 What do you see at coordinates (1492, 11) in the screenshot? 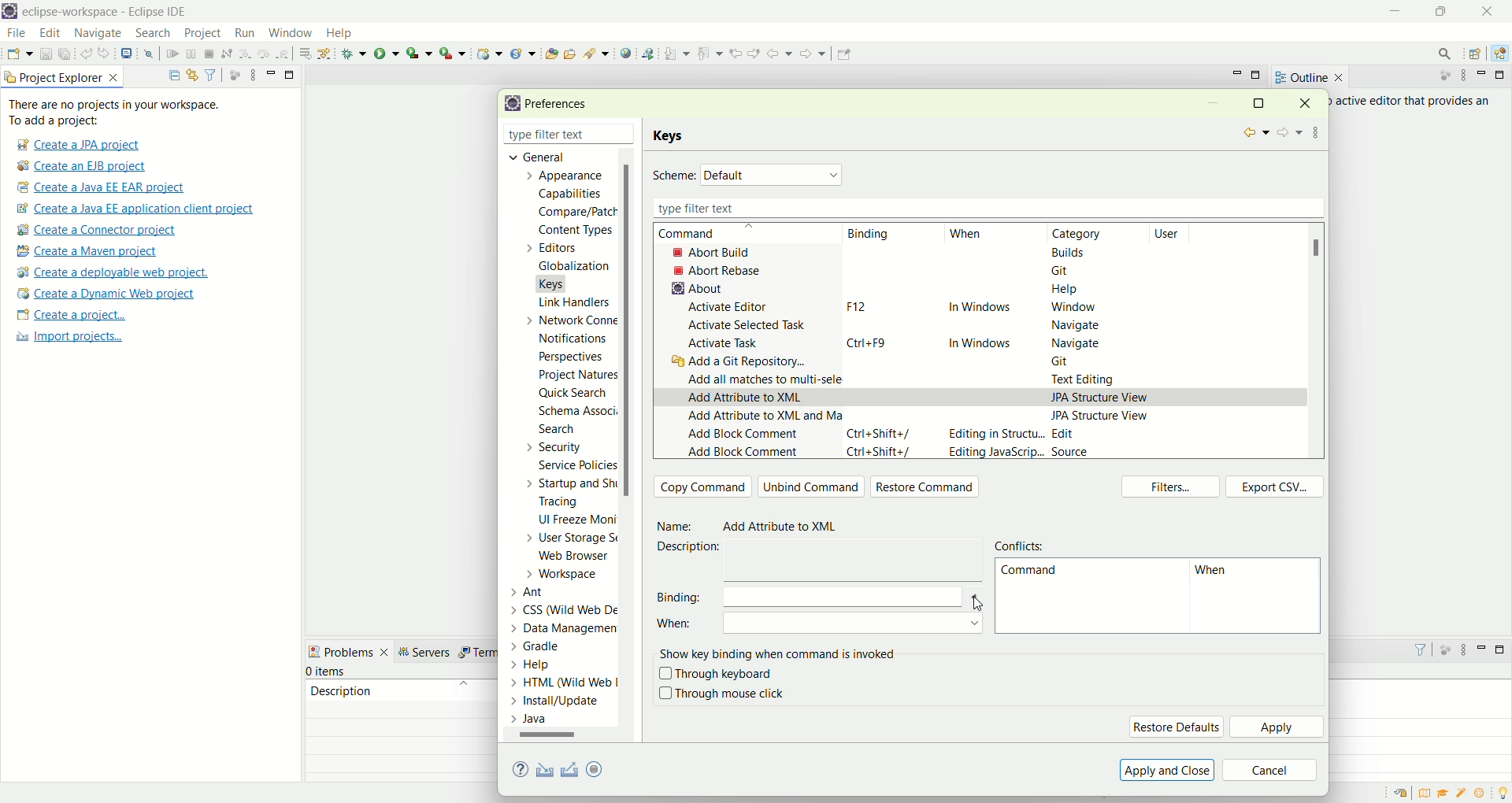
I see `close` at bounding box center [1492, 11].